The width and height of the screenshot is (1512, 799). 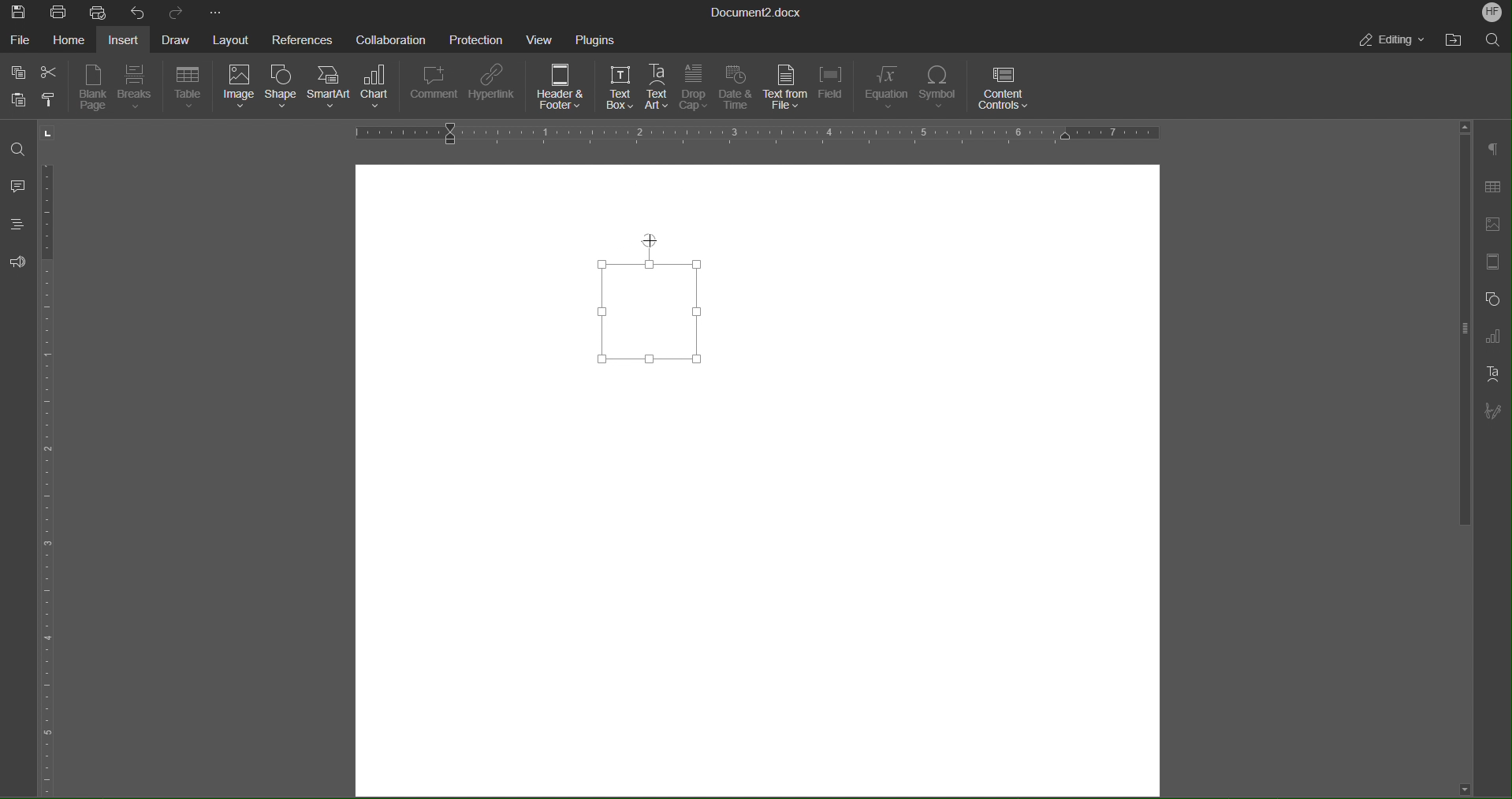 I want to click on Quick Print, so click(x=99, y=11).